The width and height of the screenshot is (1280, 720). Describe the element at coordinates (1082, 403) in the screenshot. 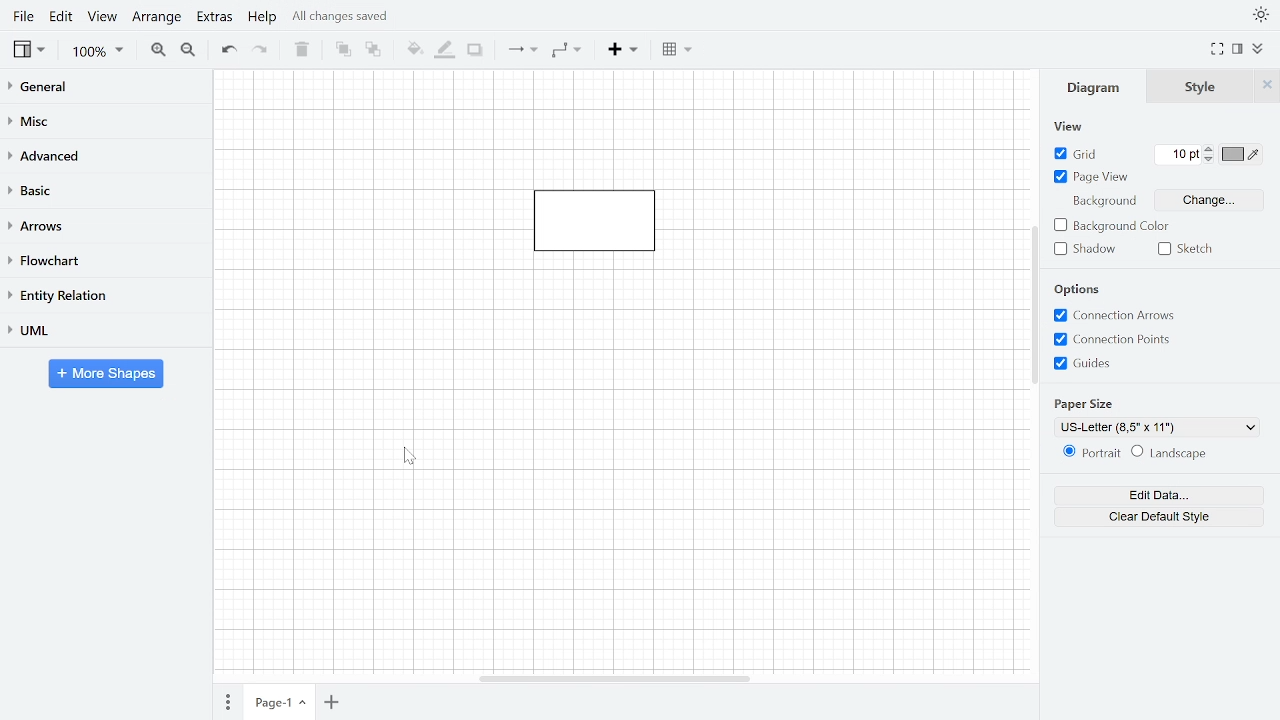

I see `paper size` at that location.